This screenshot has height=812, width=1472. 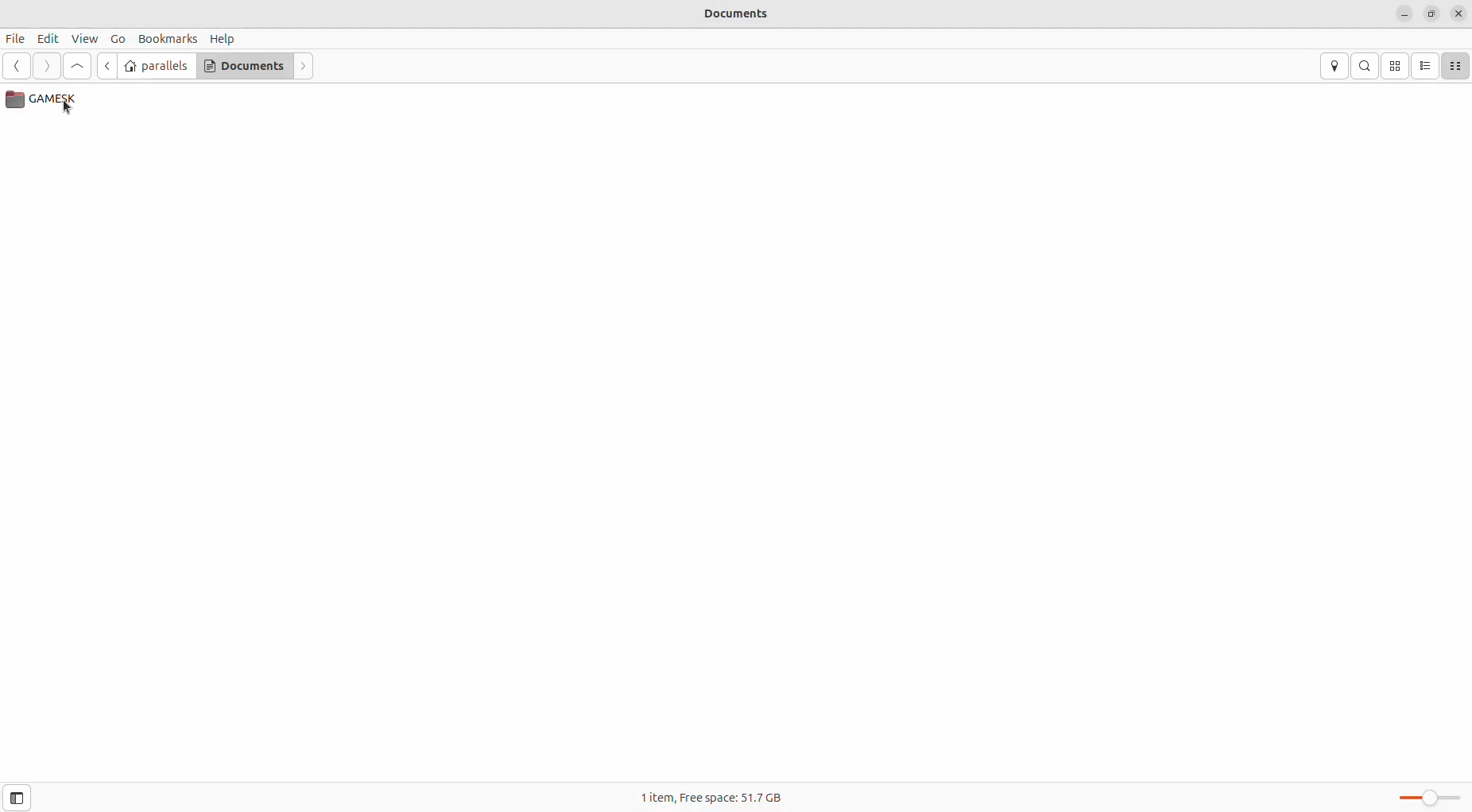 What do you see at coordinates (1454, 68) in the screenshot?
I see `compact view` at bounding box center [1454, 68].